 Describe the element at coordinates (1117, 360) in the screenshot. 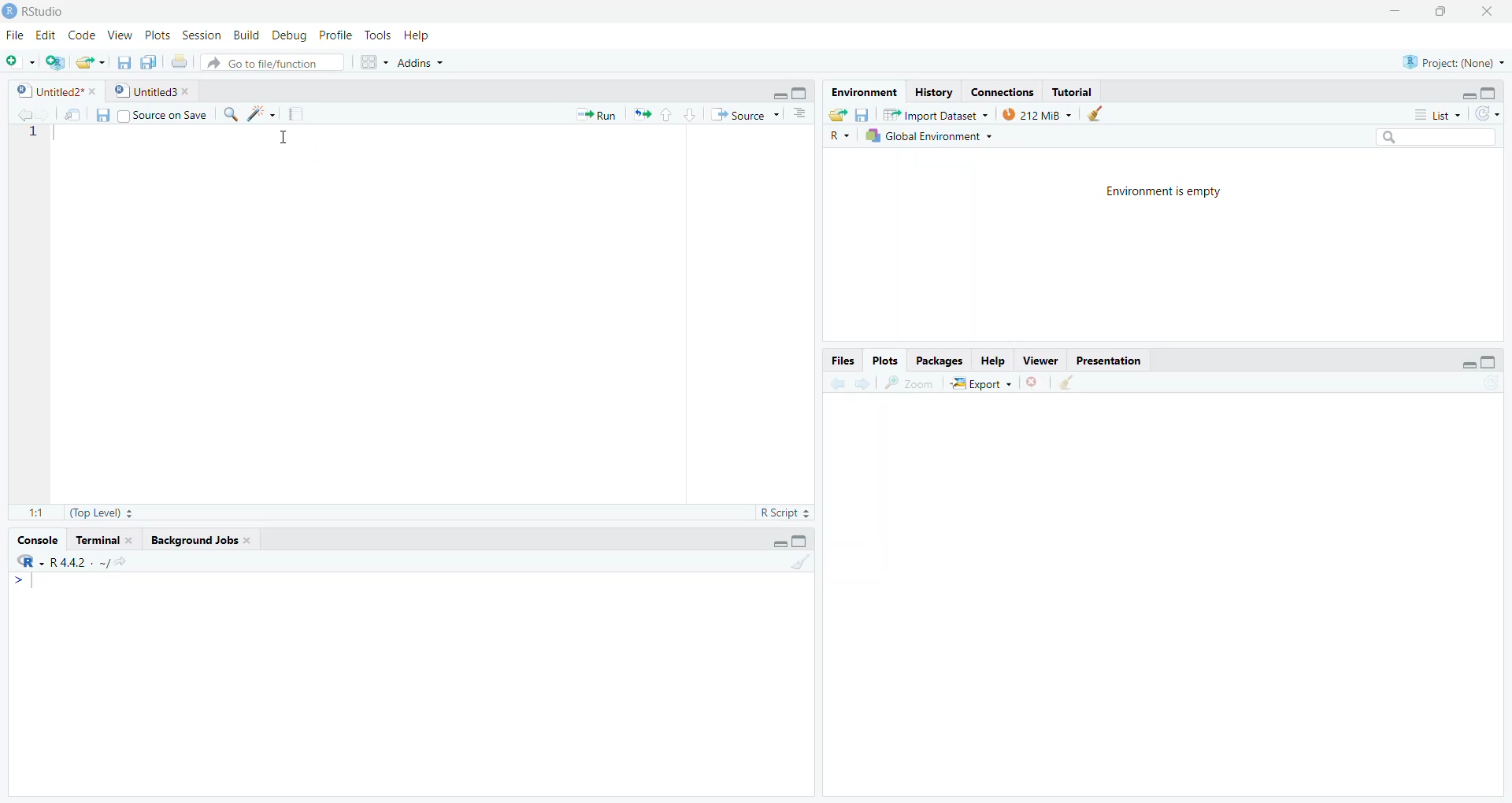

I see `presentation` at that location.